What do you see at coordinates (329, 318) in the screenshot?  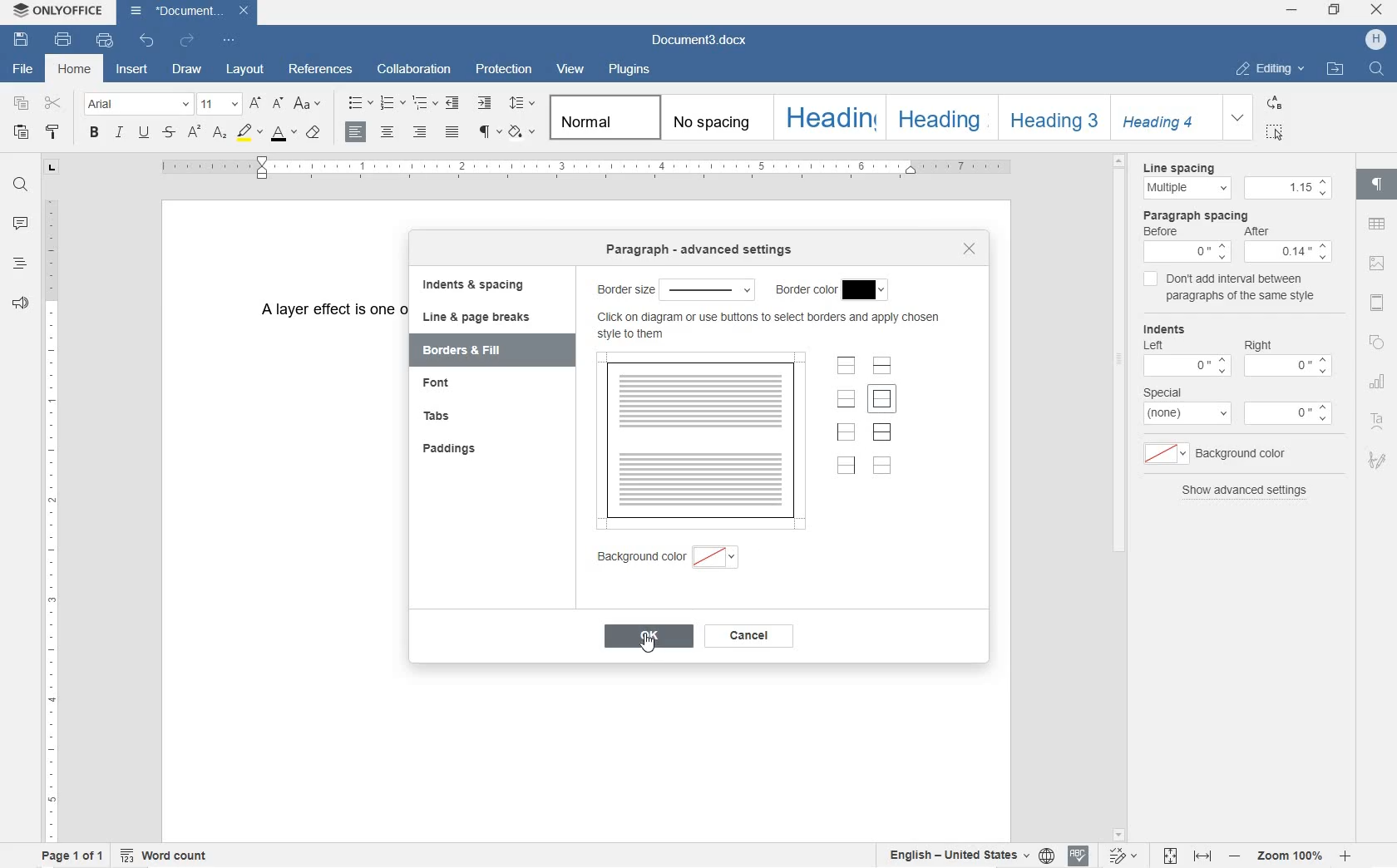 I see `TEXT WRITTEN BY USER` at bounding box center [329, 318].